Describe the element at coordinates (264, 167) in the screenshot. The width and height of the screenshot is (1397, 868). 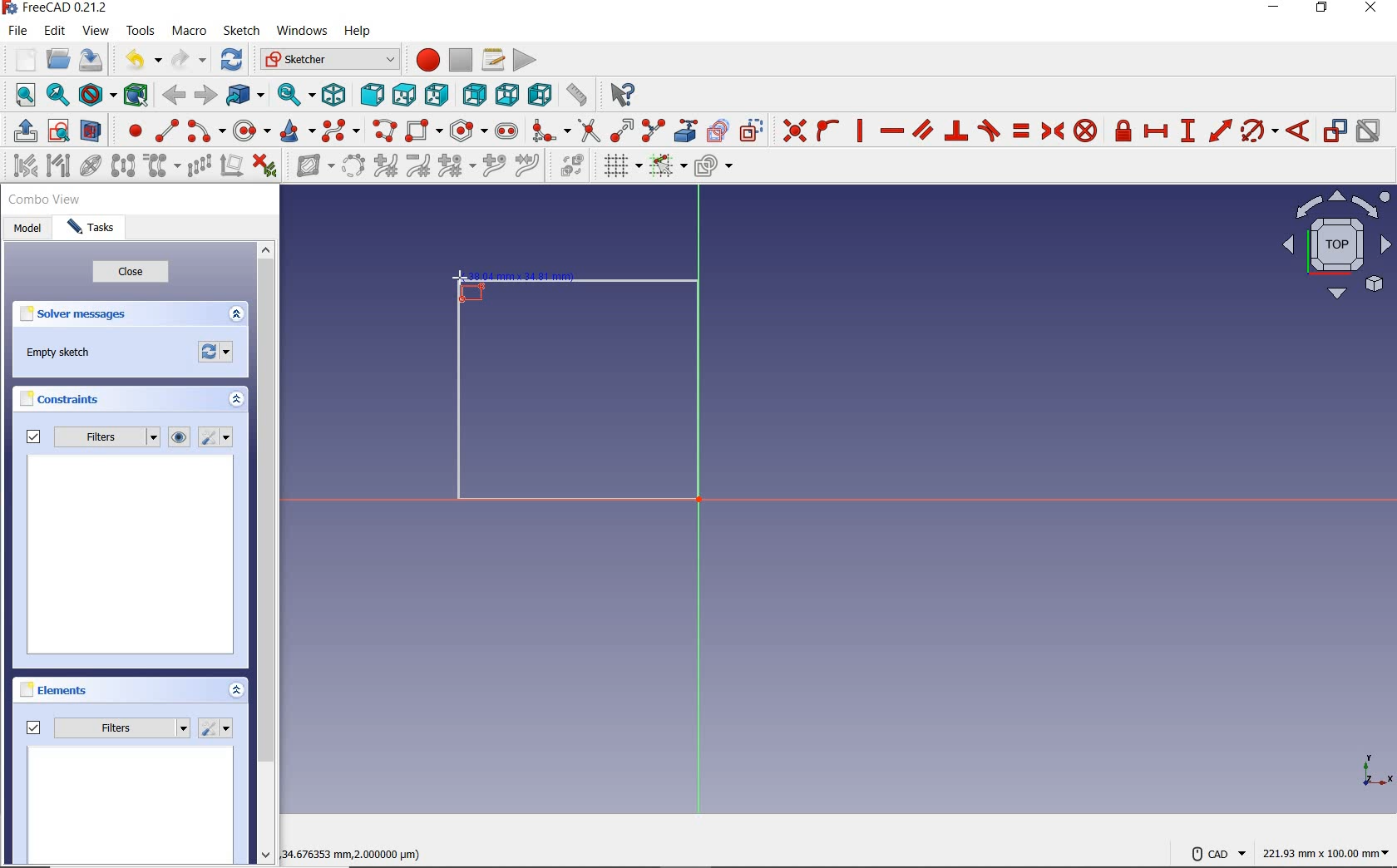
I see `delete all constraints` at that location.